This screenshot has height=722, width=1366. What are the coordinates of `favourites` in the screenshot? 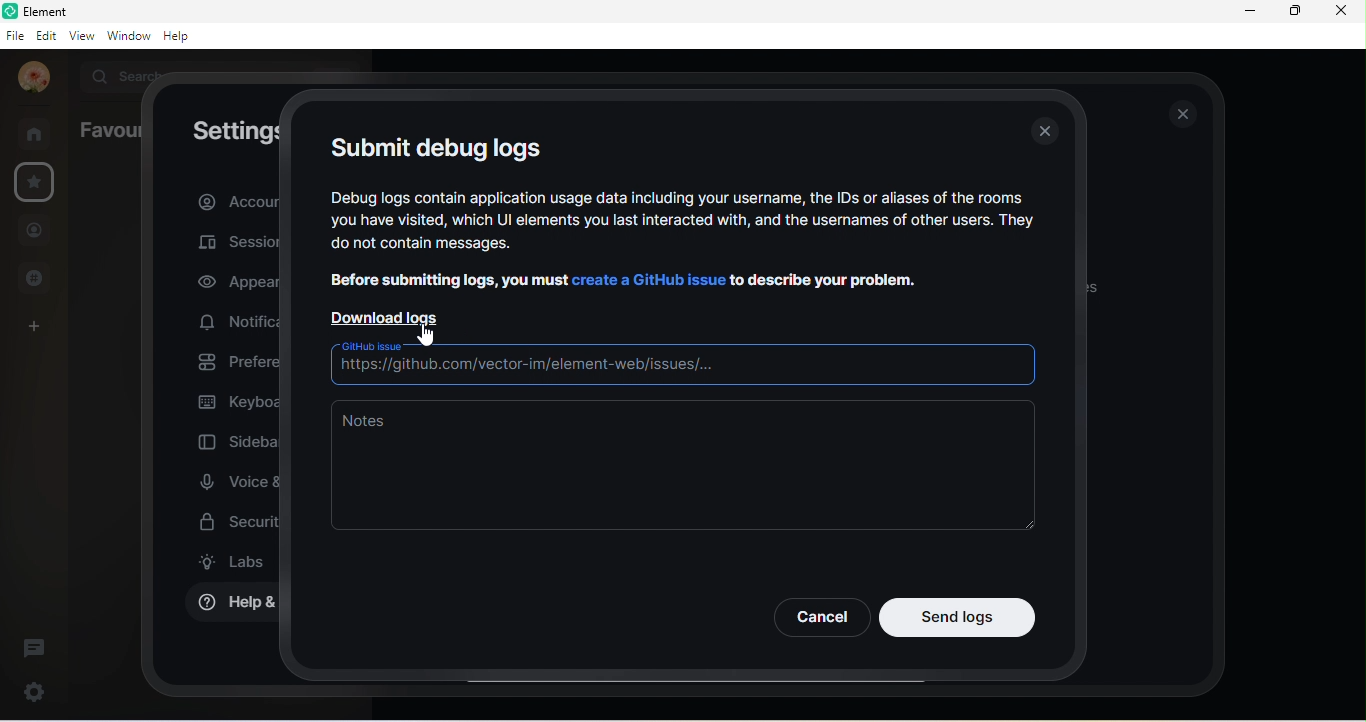 It's located at (40, 184).